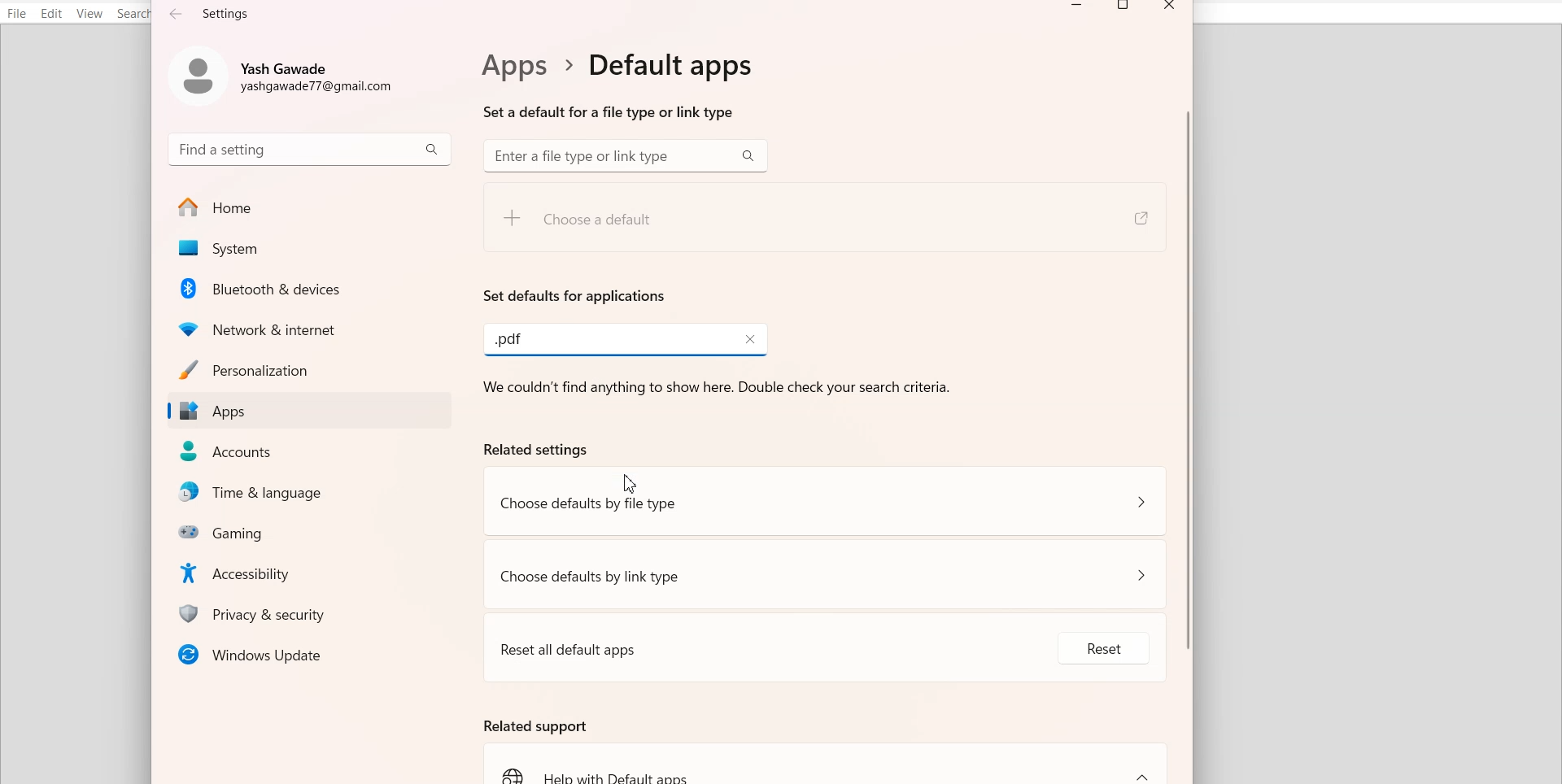 Image resolution: width=1562 pixels, height=784 pixels. I want to click on Network & Internet, so click(311, 327).